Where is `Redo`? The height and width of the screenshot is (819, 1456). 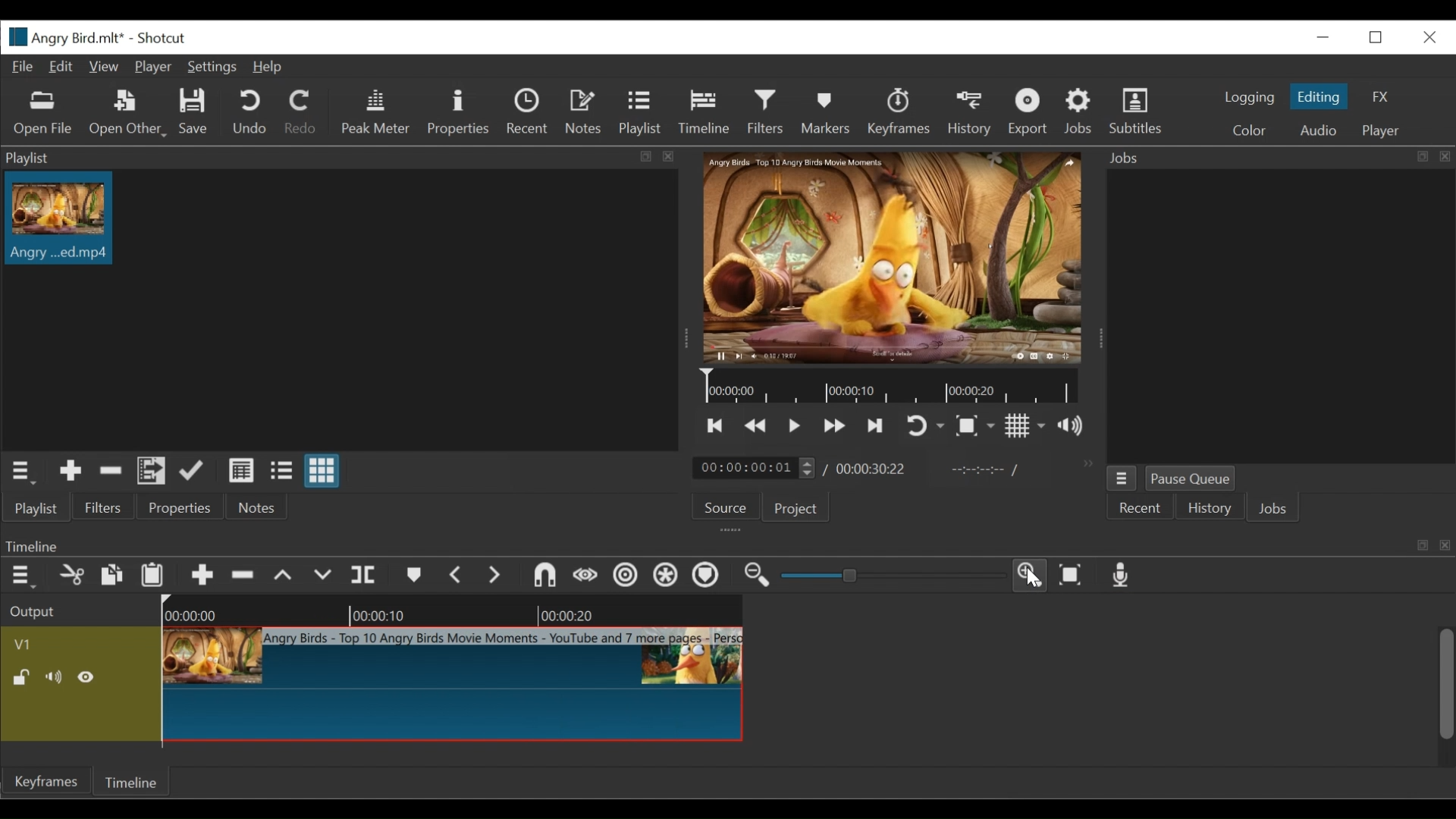
Redo is located at coordinates (300, 111).